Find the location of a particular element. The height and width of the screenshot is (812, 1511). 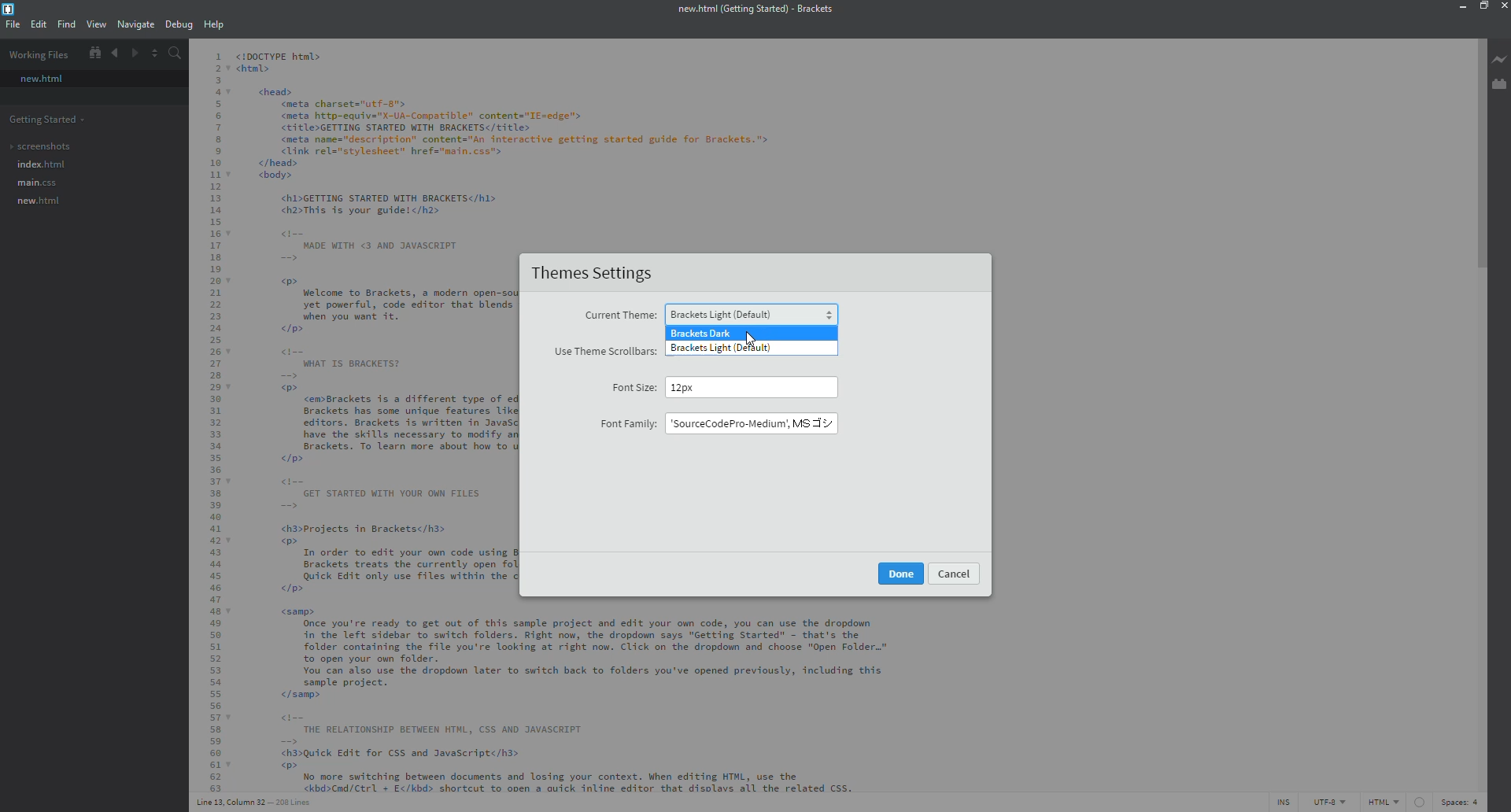

brackets is located at coordinates (12, 9).